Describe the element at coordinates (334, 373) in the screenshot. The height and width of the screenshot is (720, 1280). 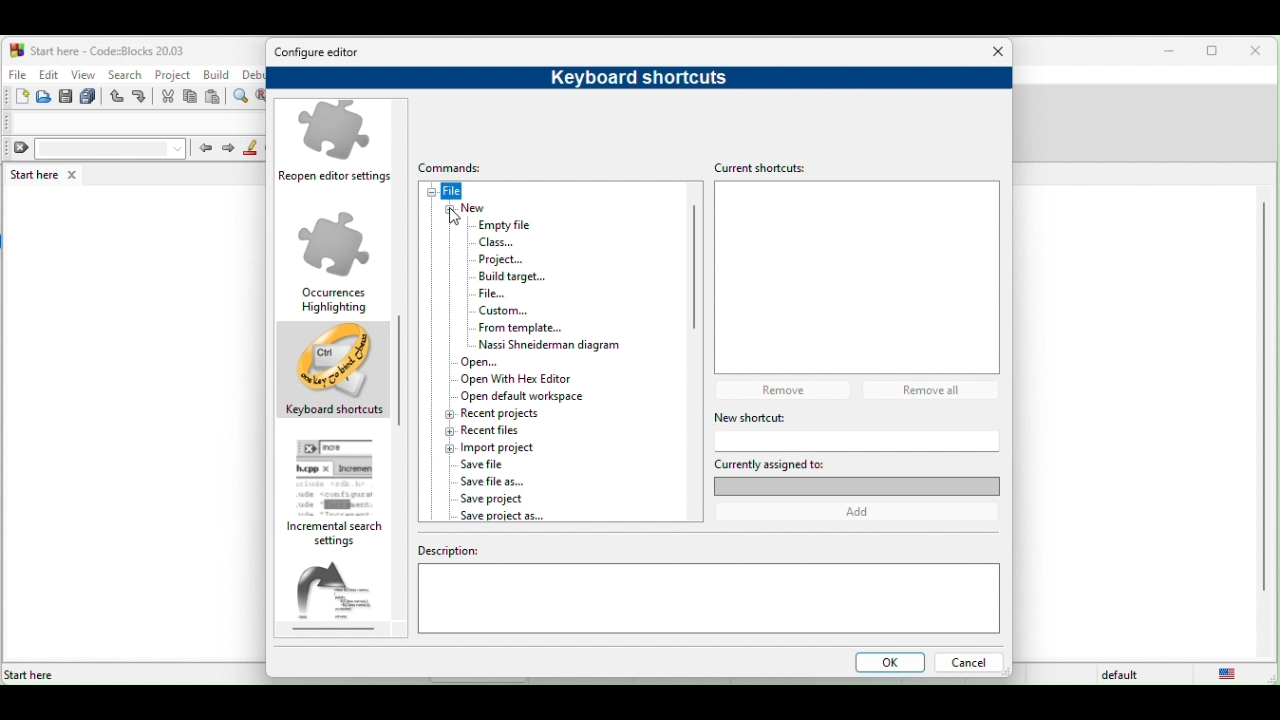
I see `keyboard shortcuts` at that location.